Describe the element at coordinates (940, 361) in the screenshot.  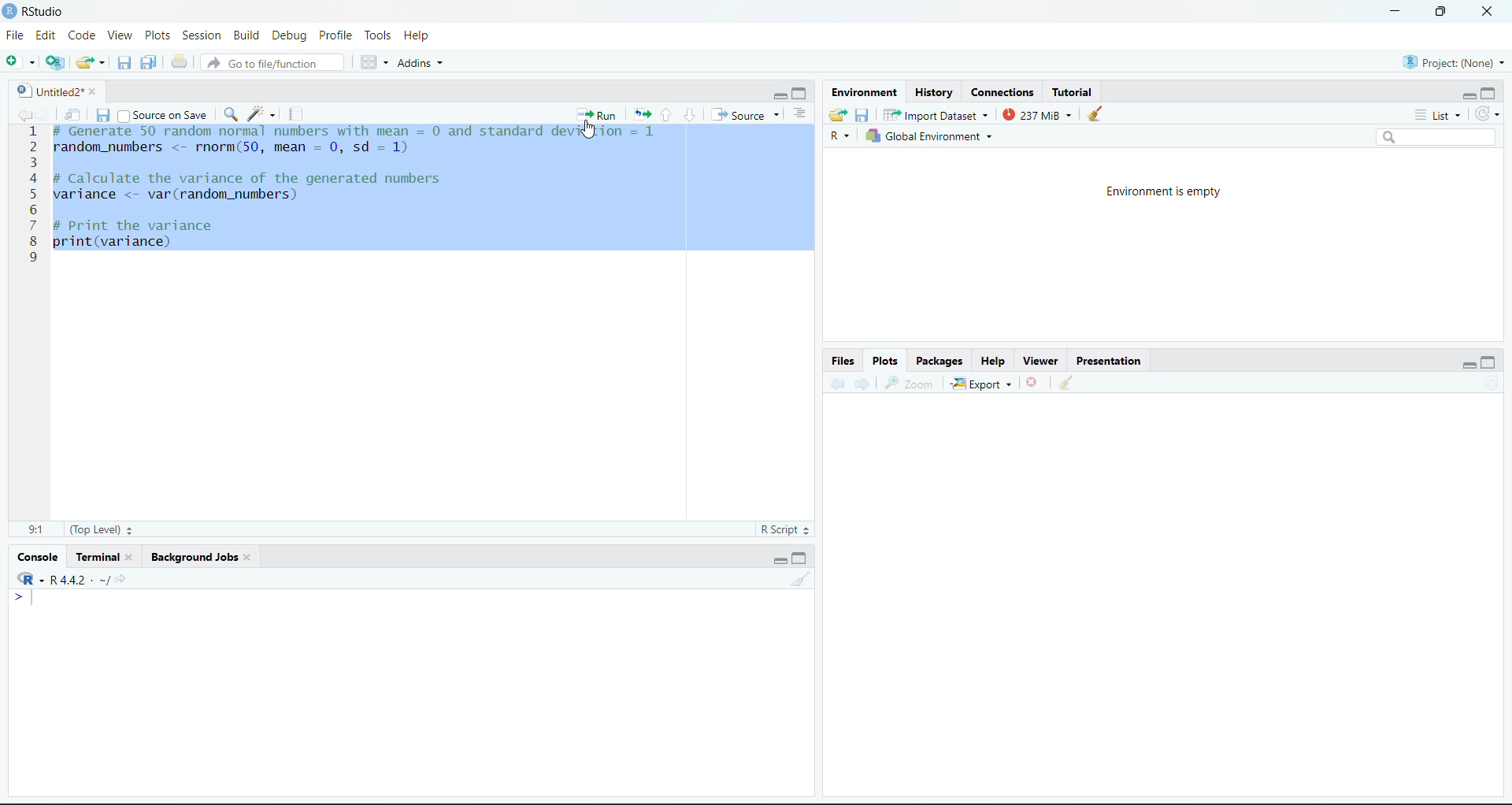
I see `Packages` at that location.